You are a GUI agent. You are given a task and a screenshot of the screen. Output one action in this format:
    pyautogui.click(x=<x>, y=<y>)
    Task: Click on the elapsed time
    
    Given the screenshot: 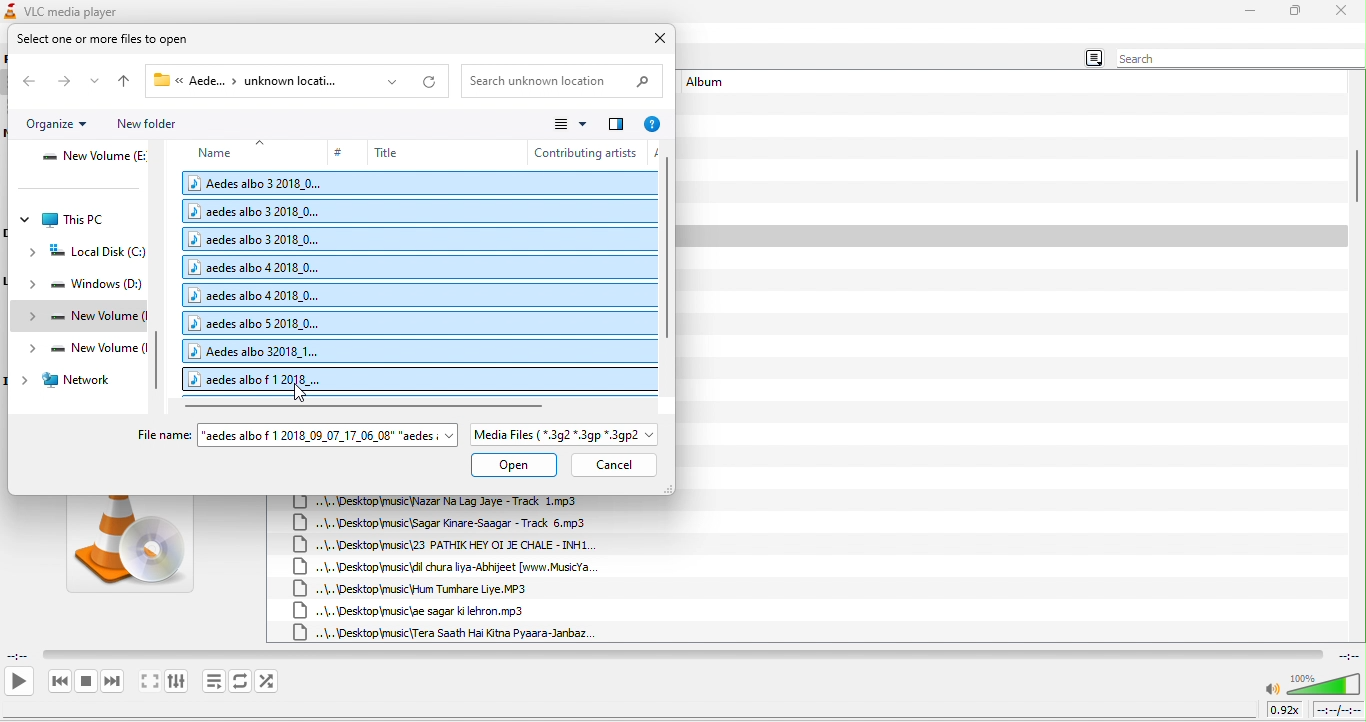 What is the action you would take?
    pyautogui.click(x=20, y=654)
    